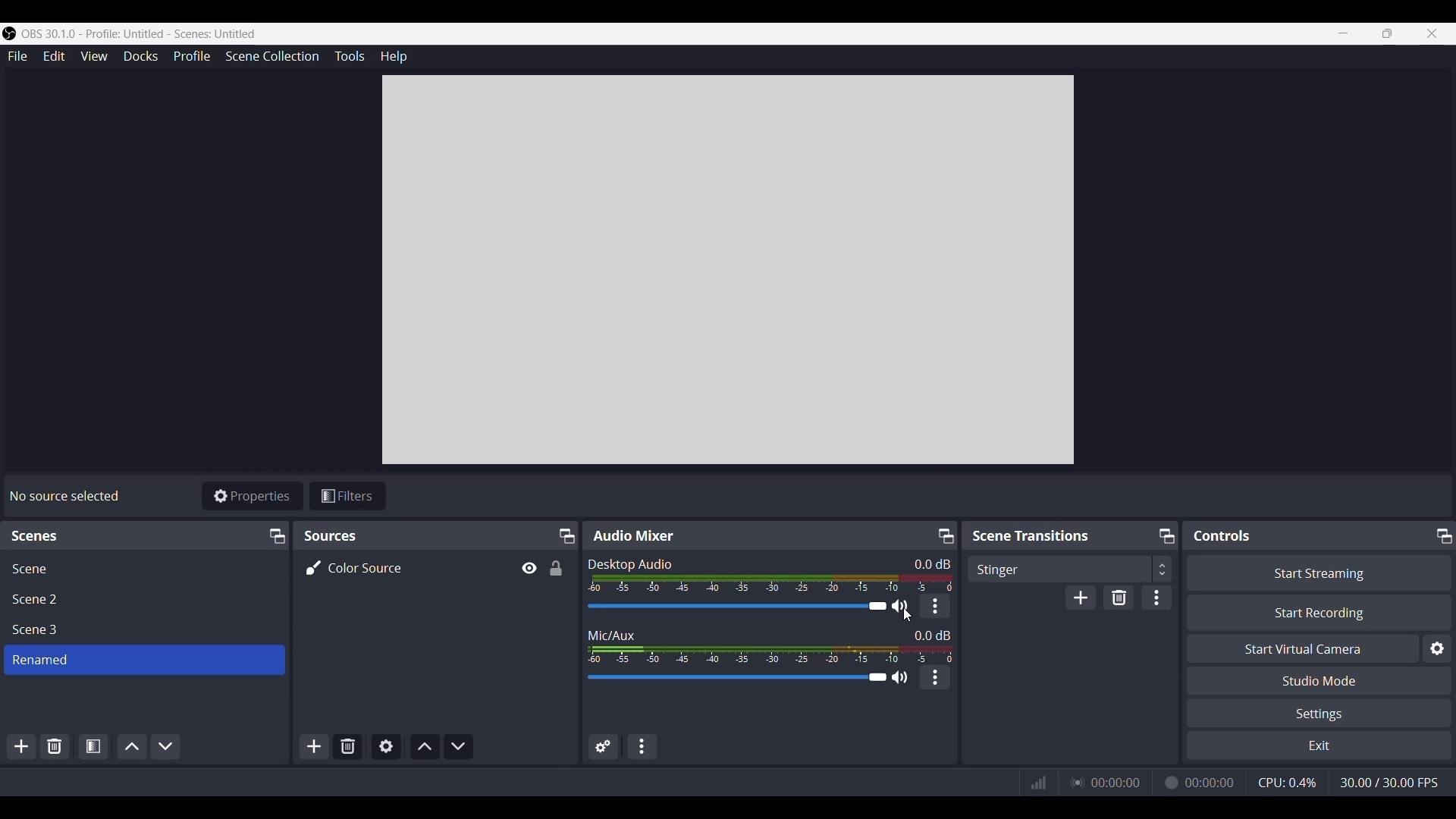  What do you see at coordinates (1167, 536) in the screenshot?
I see `Float Scene transitions panel` at bounding box center [1167, 536].